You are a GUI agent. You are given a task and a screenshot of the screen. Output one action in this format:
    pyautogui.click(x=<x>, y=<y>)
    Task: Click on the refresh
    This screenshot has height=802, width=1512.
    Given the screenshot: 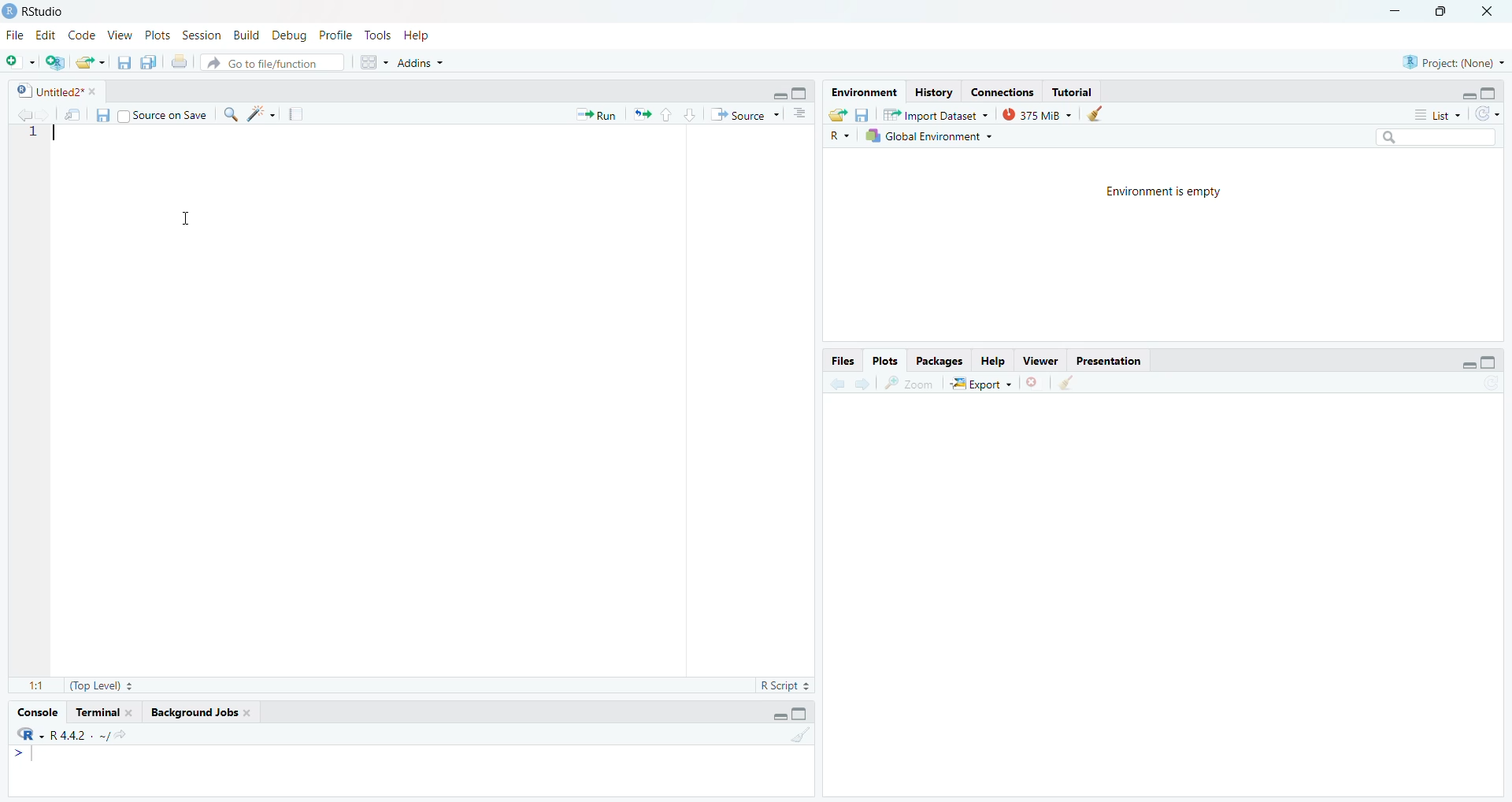 What is the action you would take?
    pyautogui.click(x=1486, y=113)
    